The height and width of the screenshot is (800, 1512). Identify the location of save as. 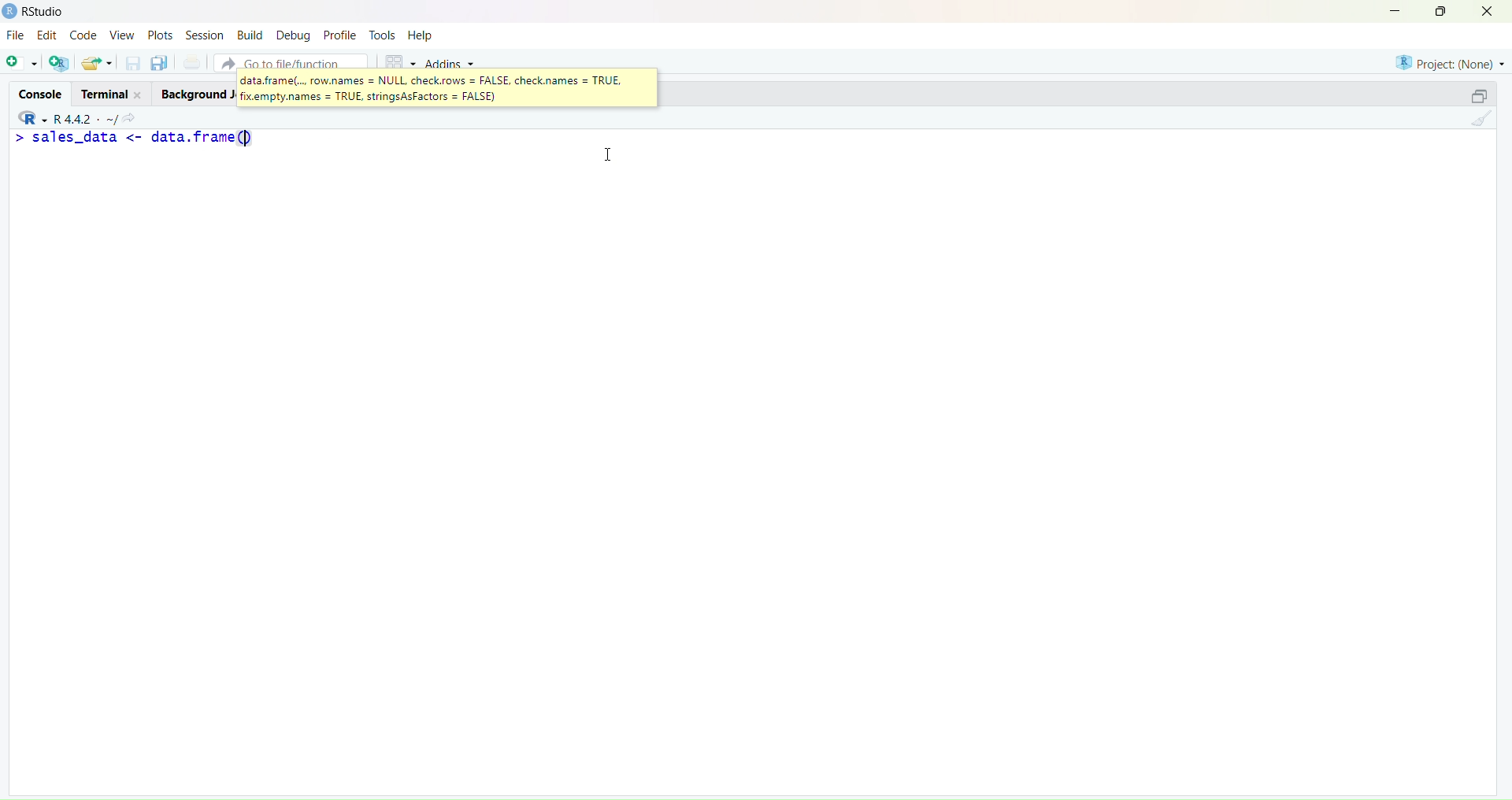
(159, 64).